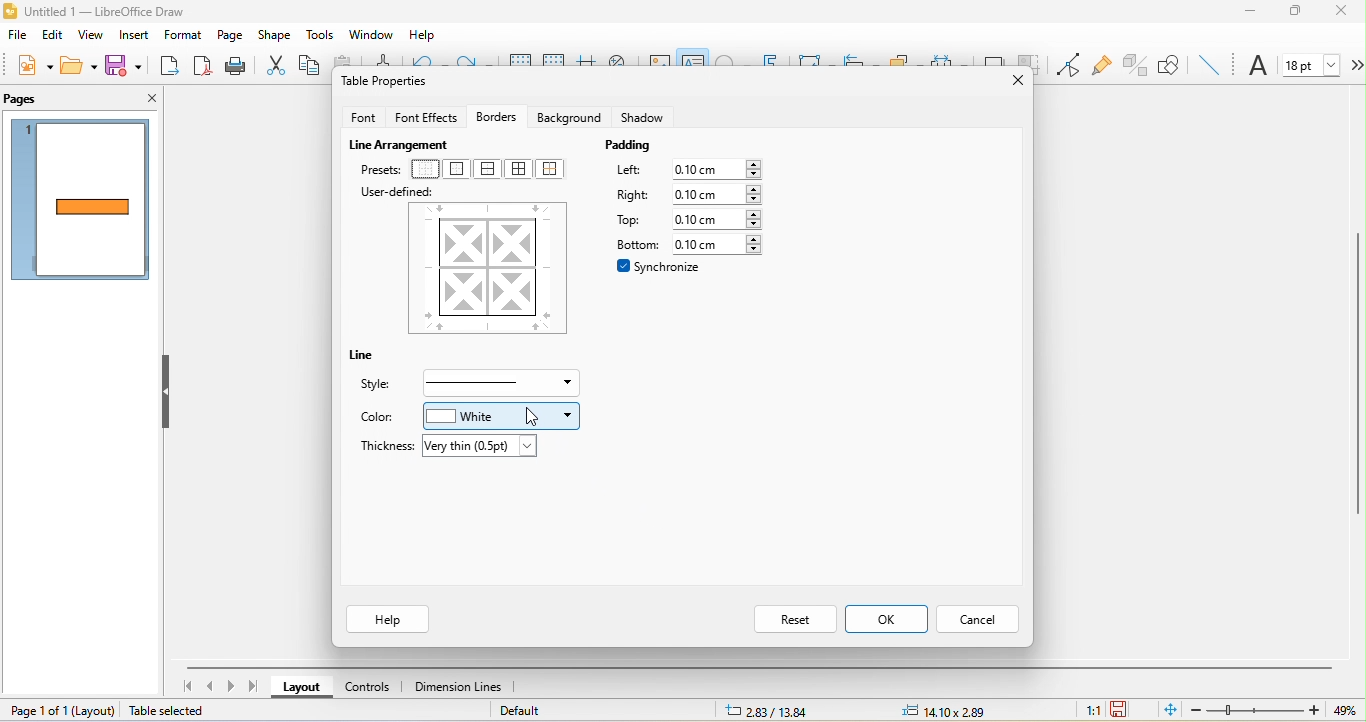  What do you see at coordinates (1168, 710) in the screenshot?
I see `fit page to current window` at bounding box center [1168, 710].